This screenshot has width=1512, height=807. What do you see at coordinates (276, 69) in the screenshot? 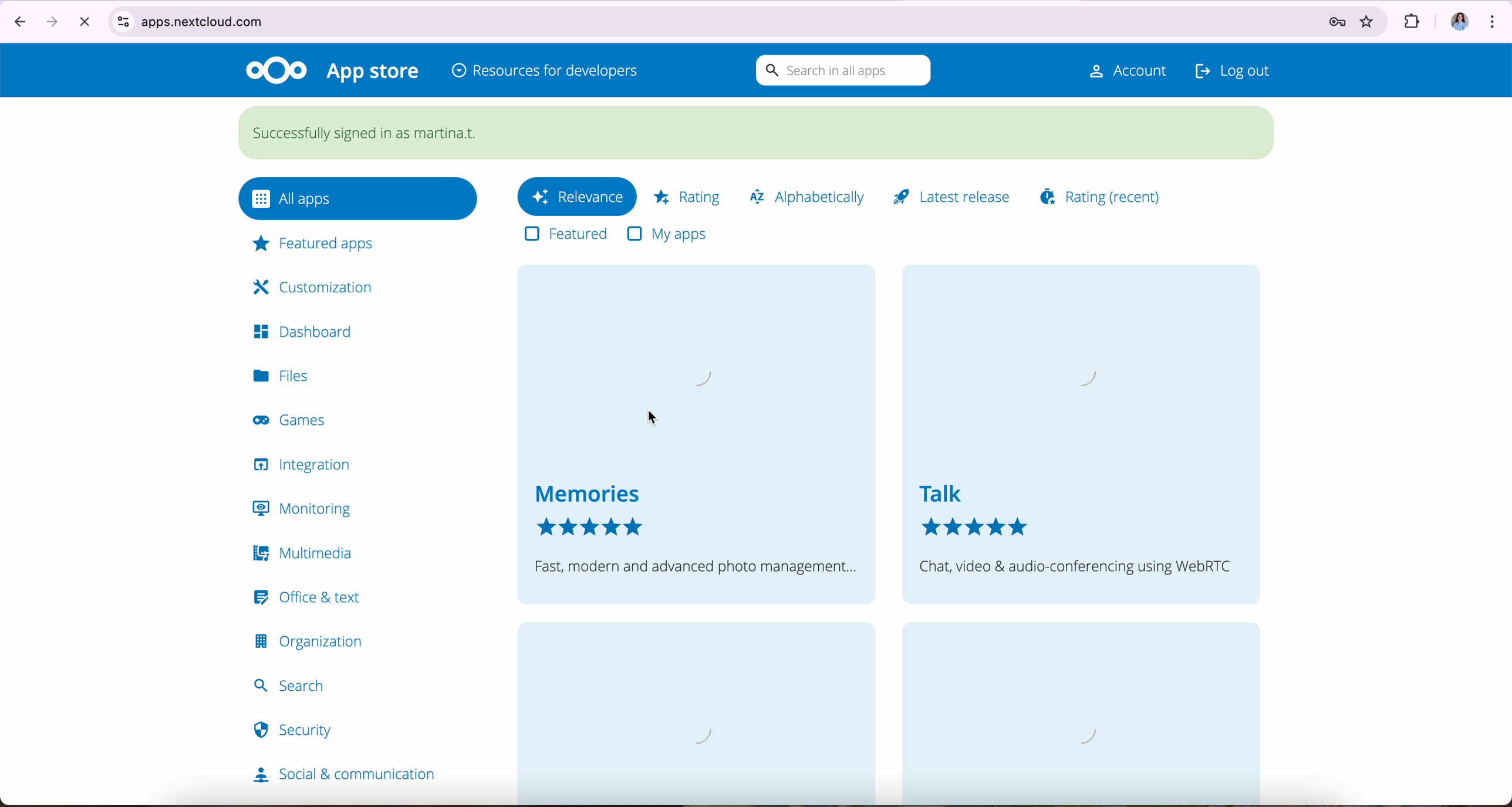
I see `Nextcloud logo` at bounding box center [276, 69].